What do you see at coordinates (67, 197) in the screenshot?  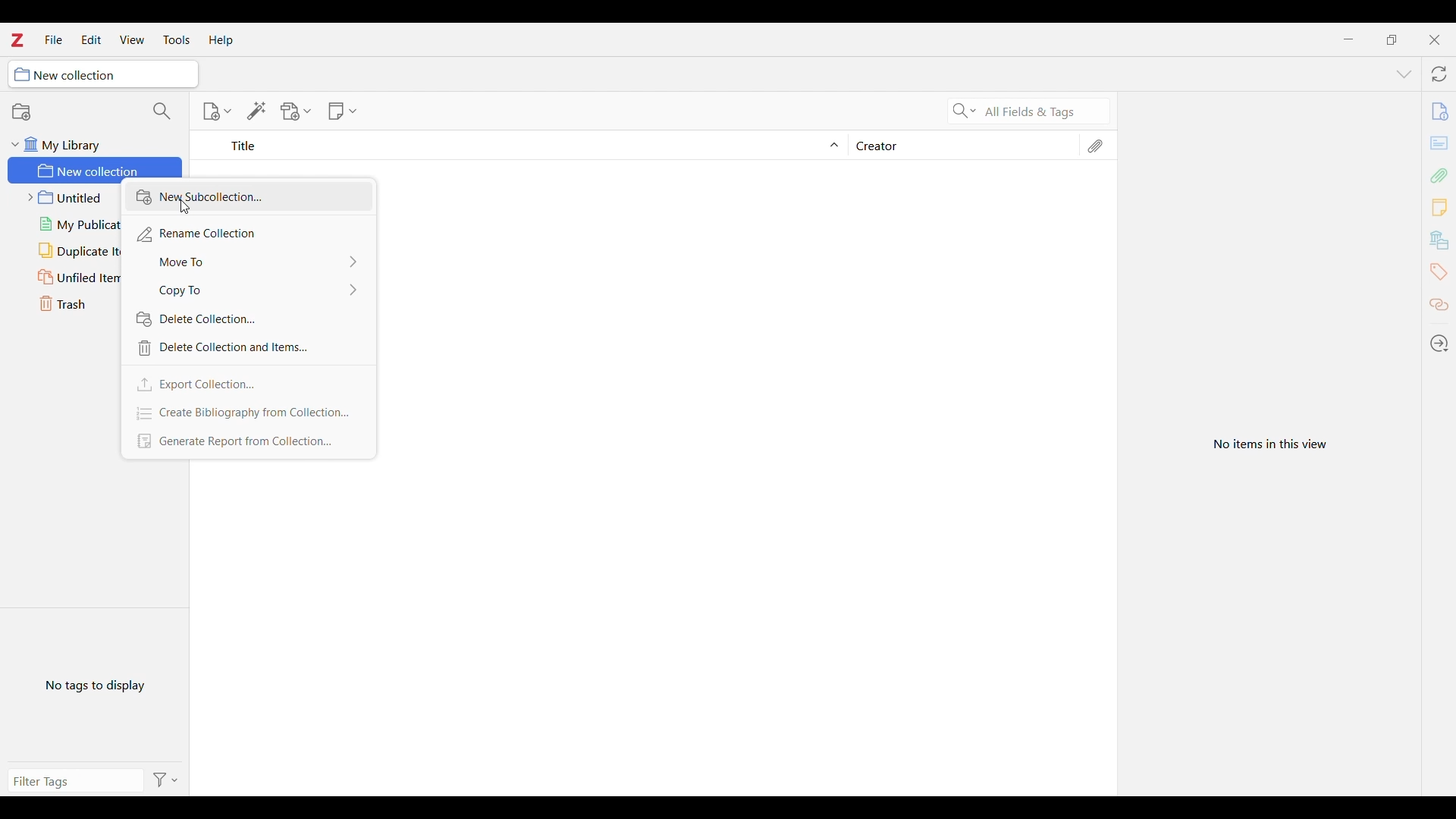 I see `Untitled folder` at bounding box center [67, 197].